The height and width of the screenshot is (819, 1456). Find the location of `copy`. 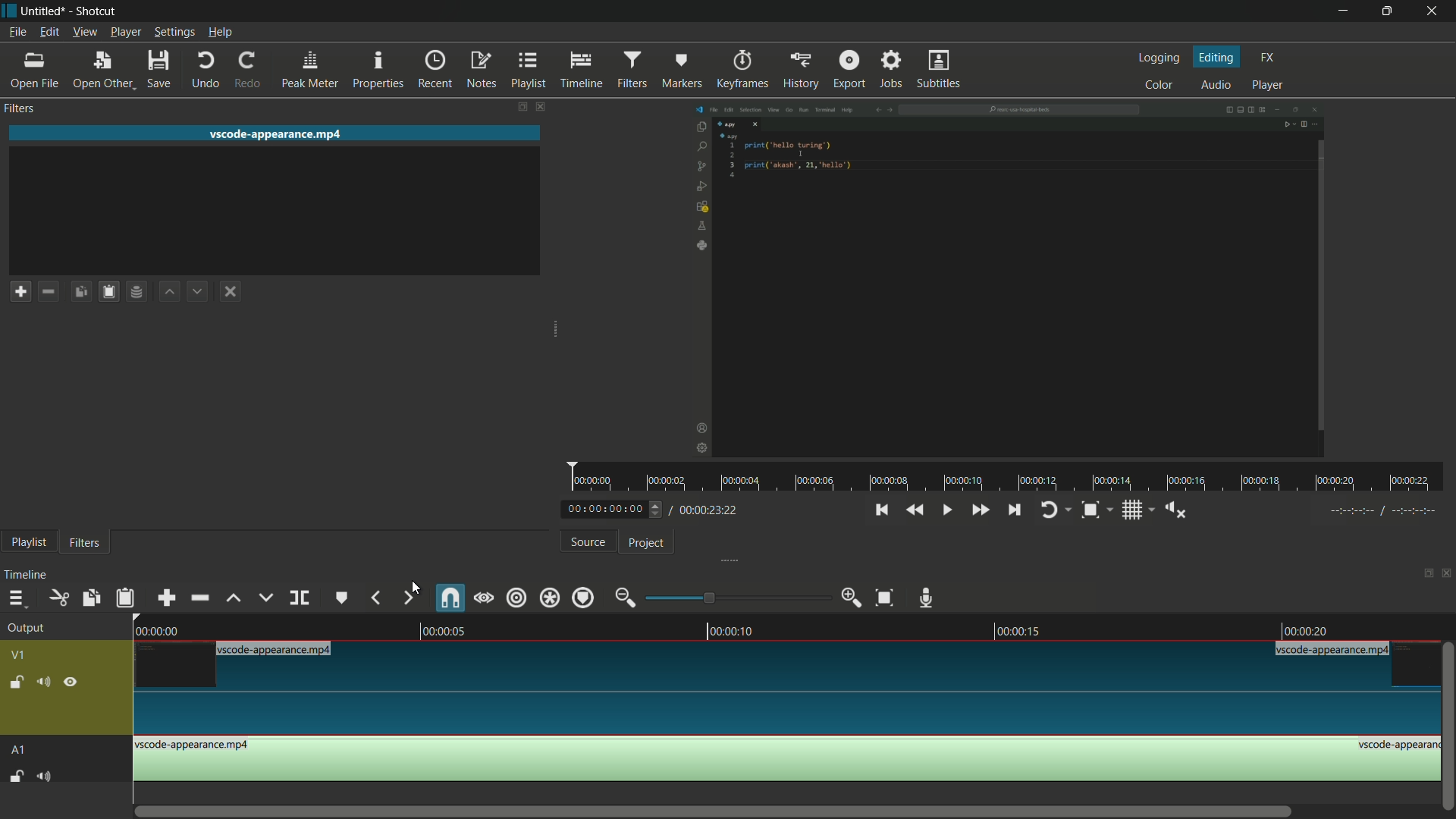

copy is located at coordinates (92, 598).